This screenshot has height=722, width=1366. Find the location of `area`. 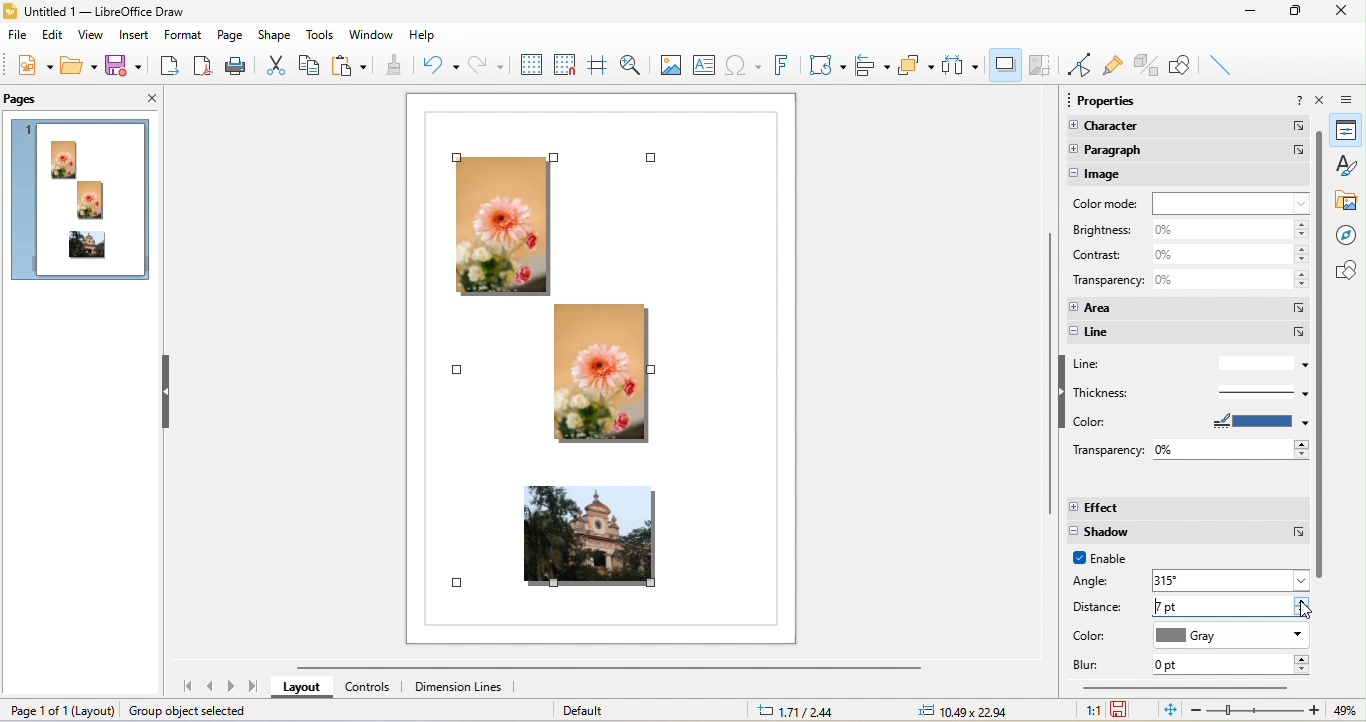

area is located at coordinates (1186, 306).